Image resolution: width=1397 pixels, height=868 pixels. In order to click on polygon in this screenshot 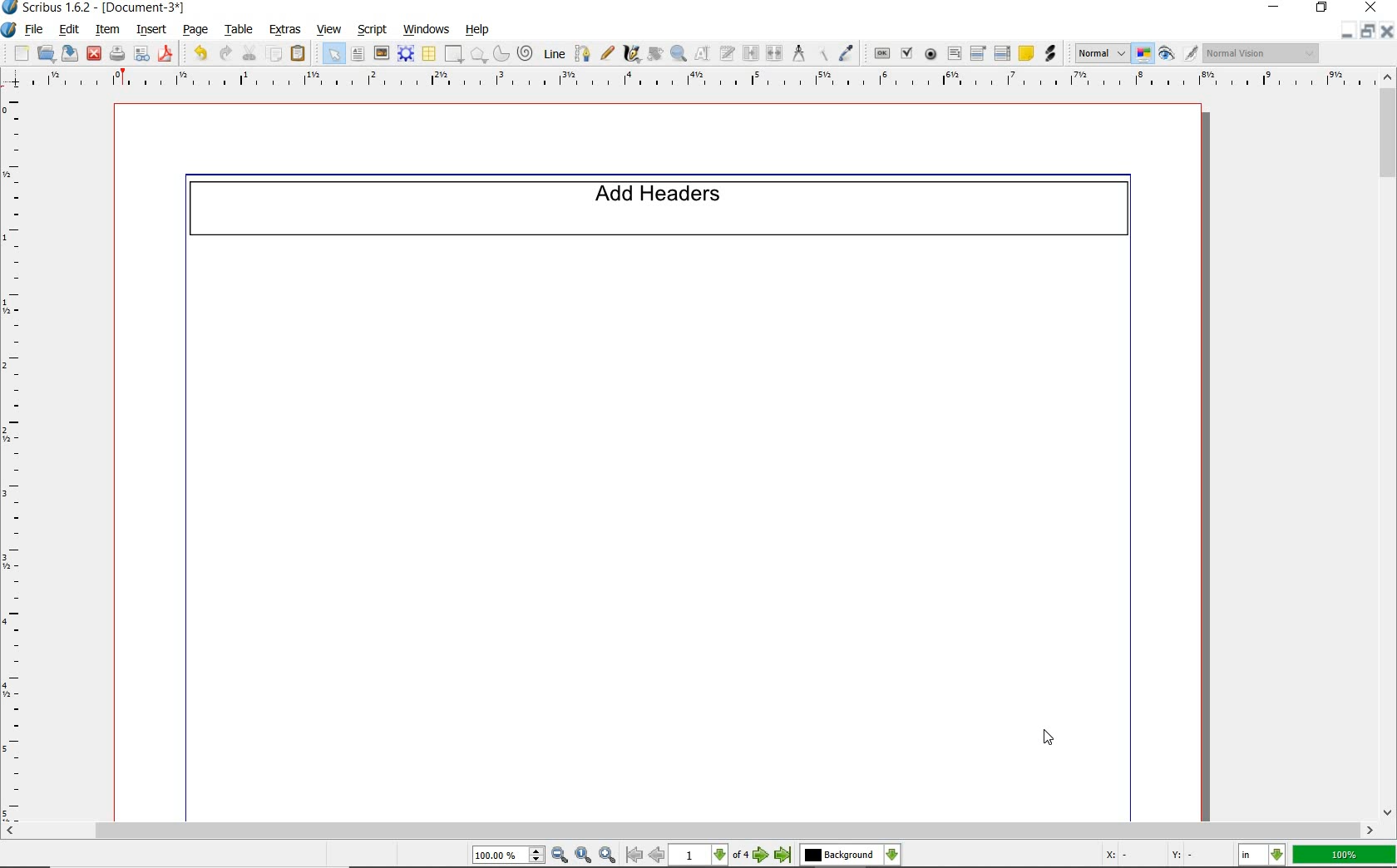, I will do `click(477, 55)`.